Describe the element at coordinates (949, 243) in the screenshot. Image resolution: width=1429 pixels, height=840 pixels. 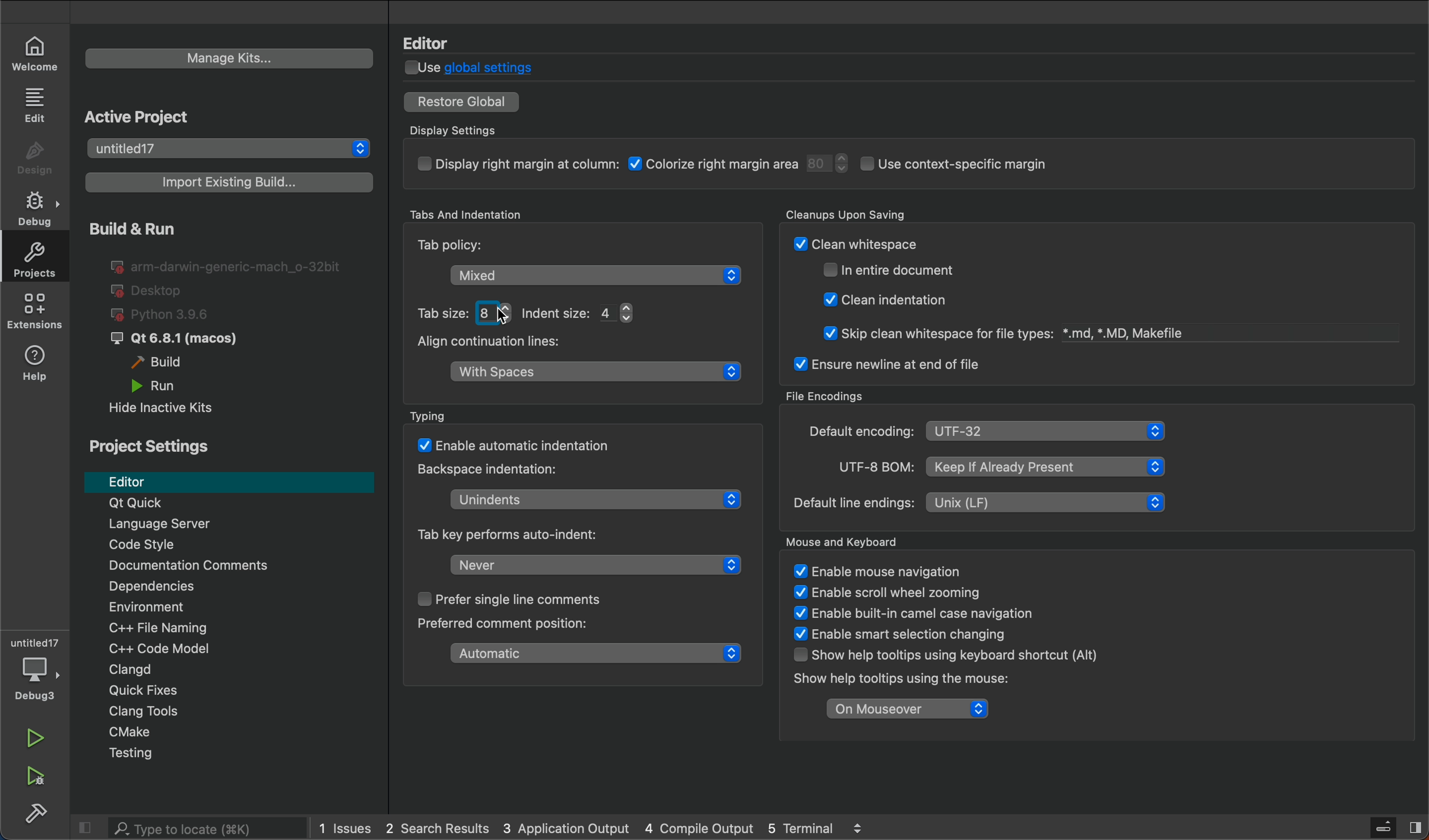
I see `Cleanup on savings` at that location.